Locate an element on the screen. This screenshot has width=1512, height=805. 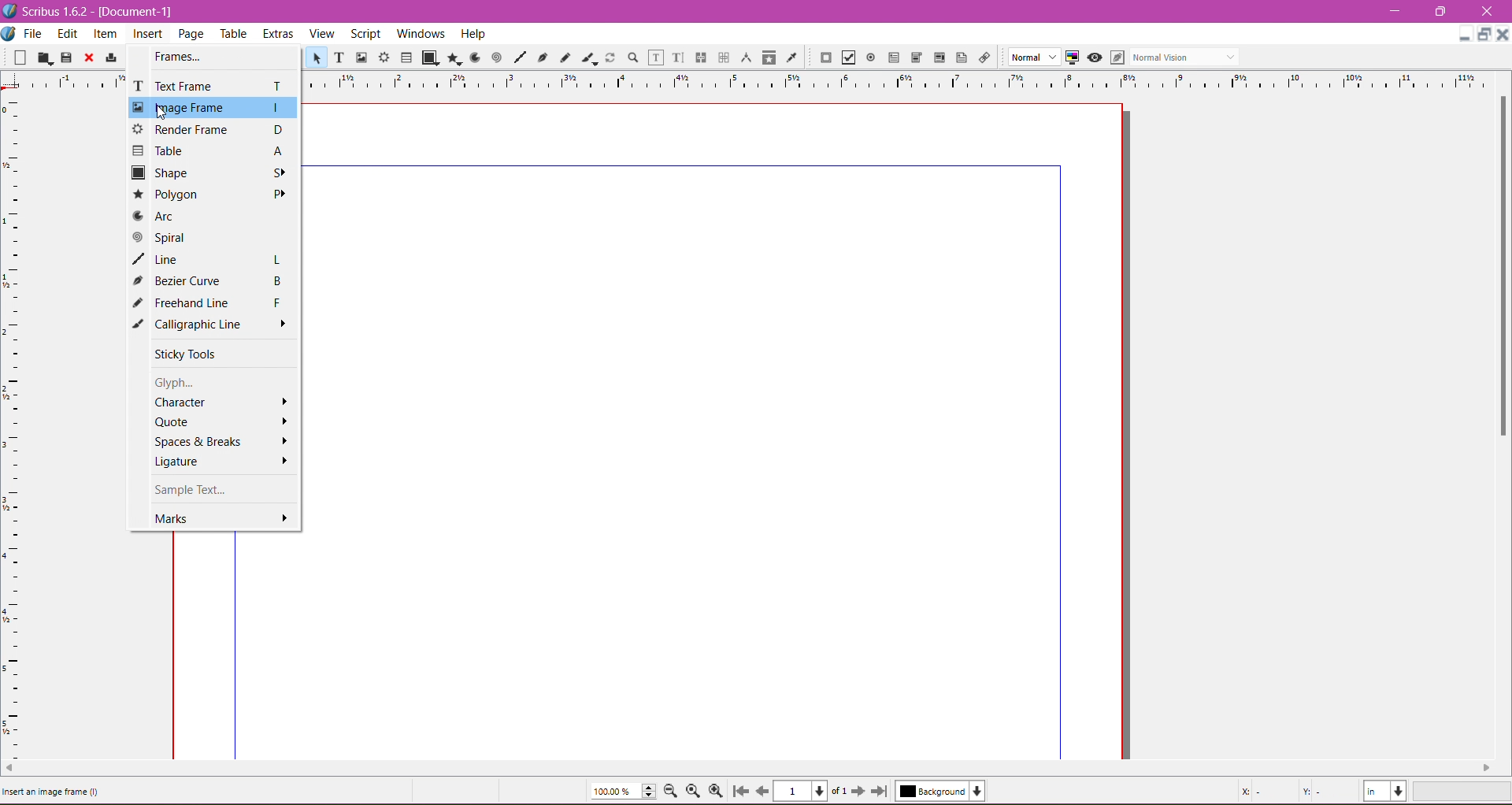
Current Zoom Level is located at coordinates (624, 791).